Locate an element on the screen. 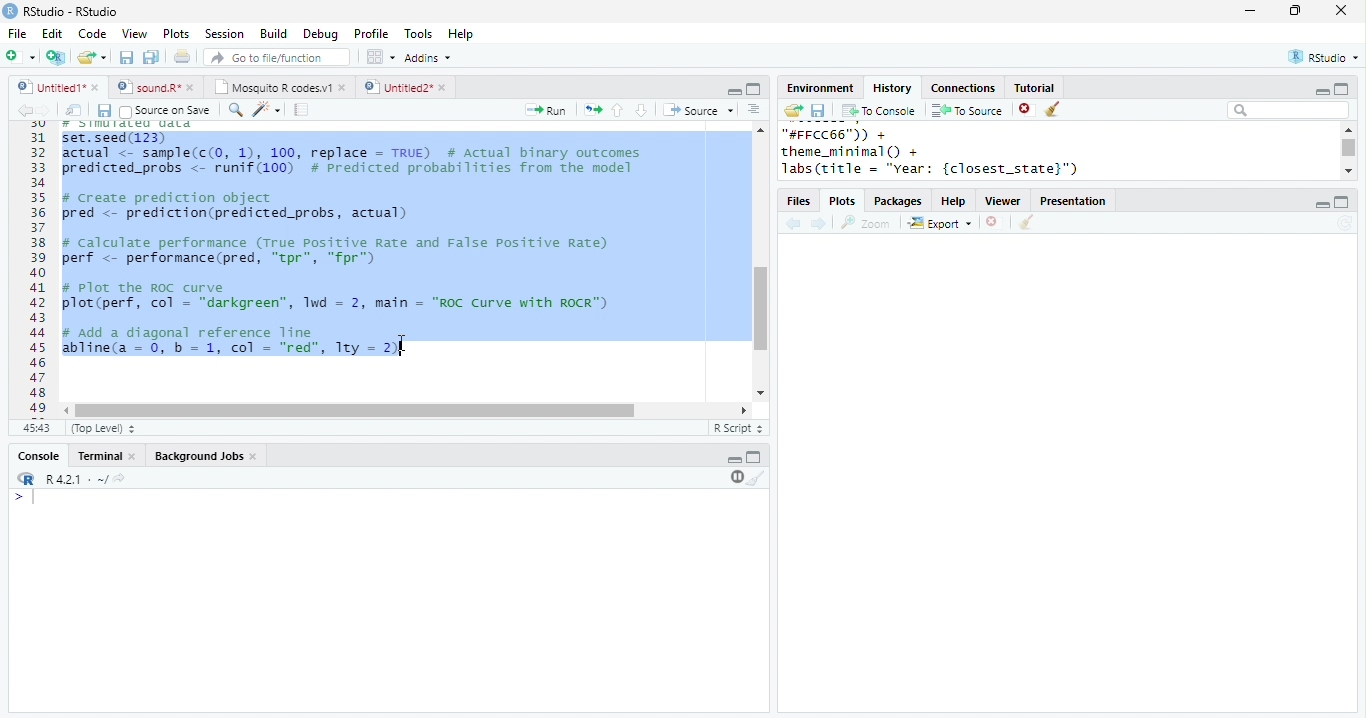  search is located at coordinates (236, 110).